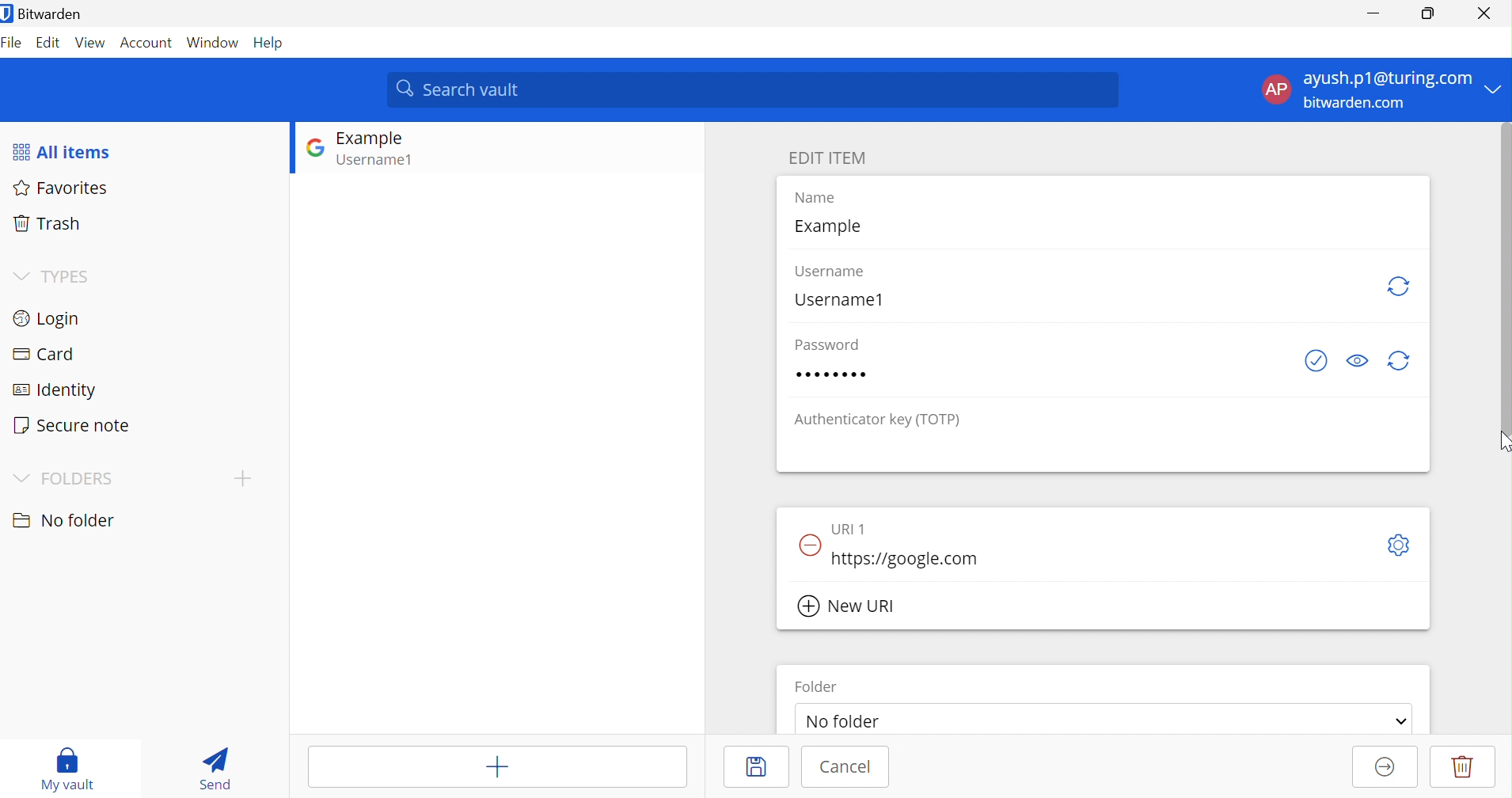 The width and height of the screenshot is (1512, 798). What do you see at coordinates (1403, 720) in the screenshot?
I see `Drop Down` at bounding box center [1403, 720].